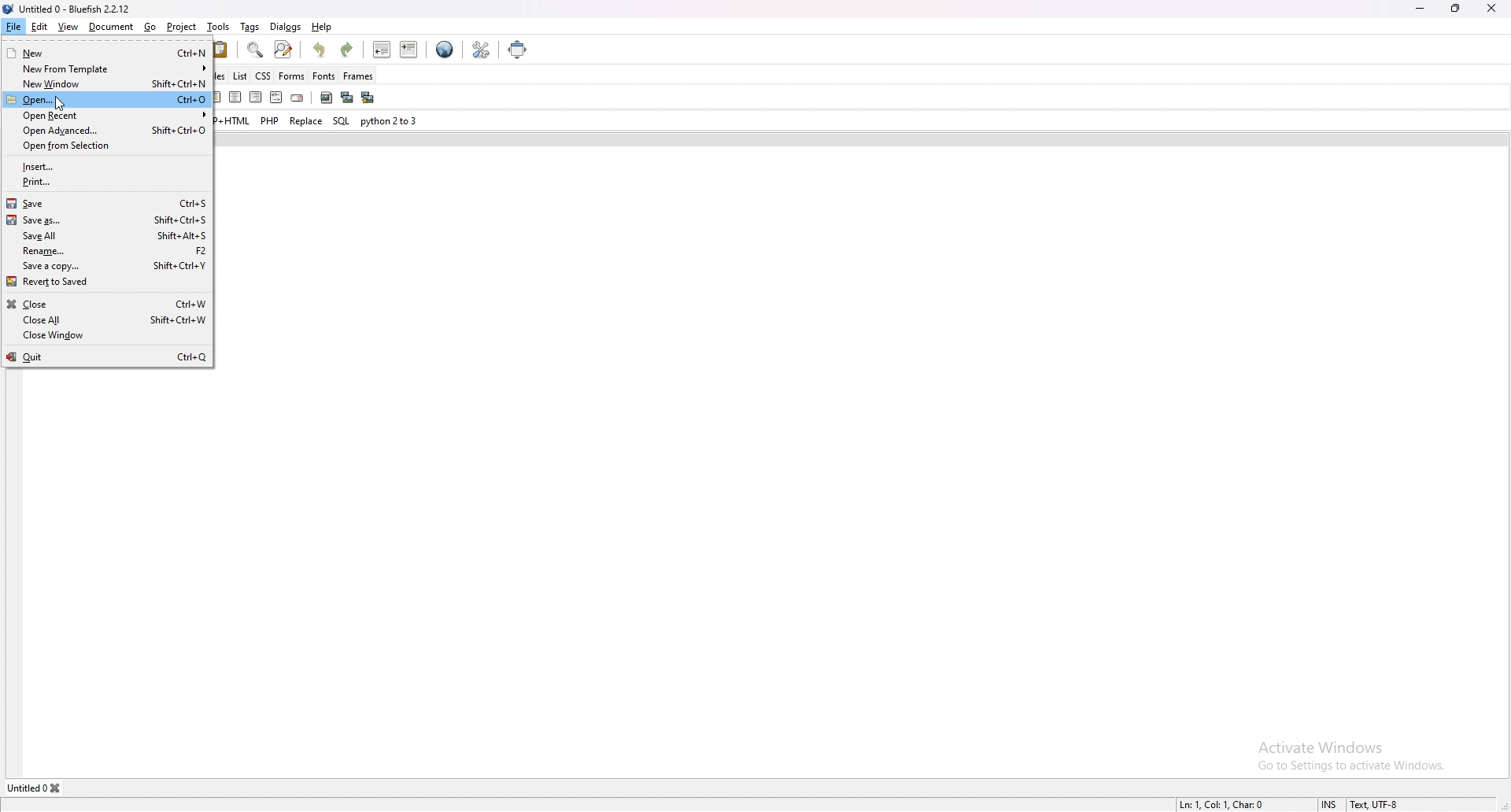  I want to click on sql, so click(342, 120).